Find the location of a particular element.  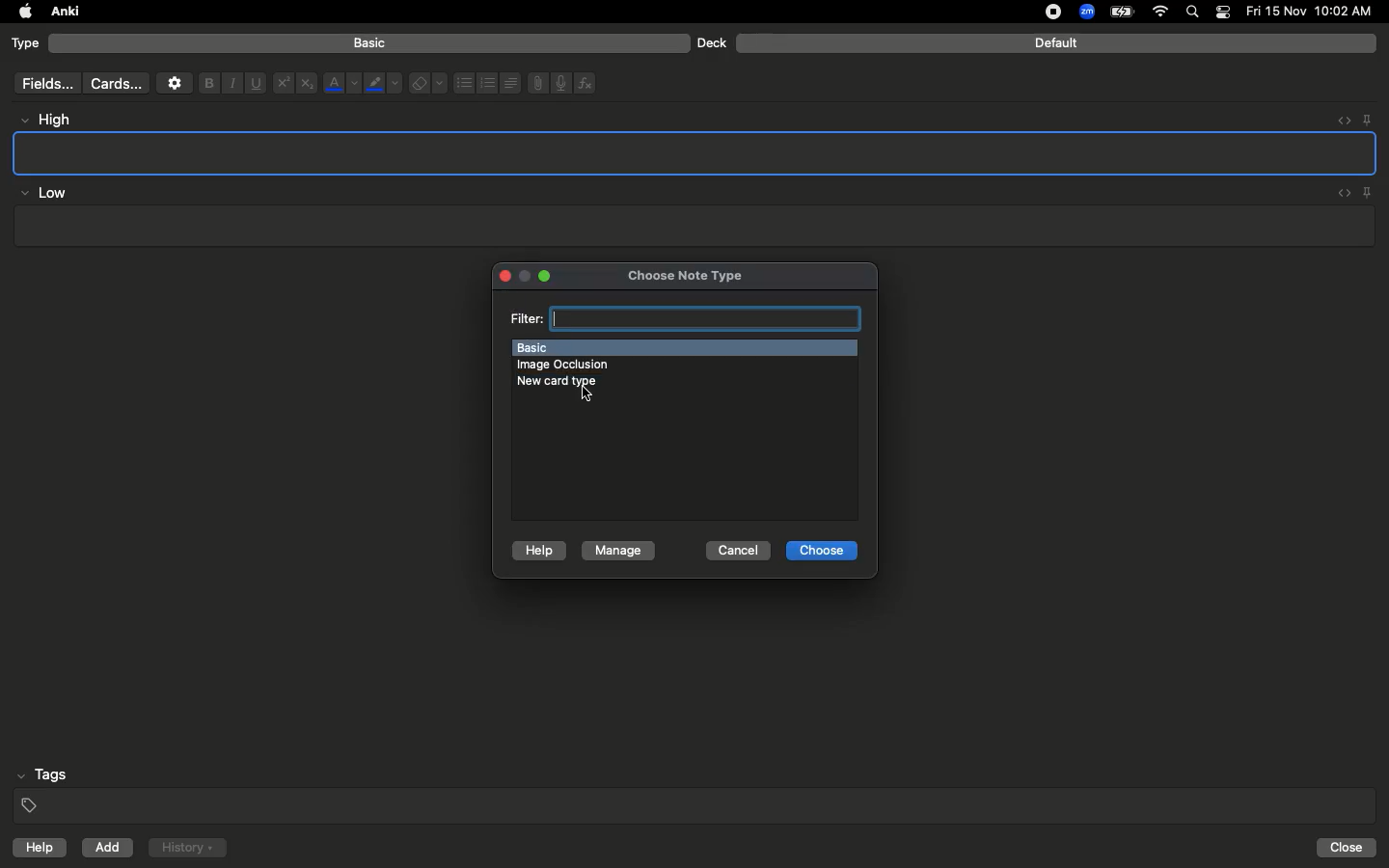

Fields is located at coordinates (43, 83).